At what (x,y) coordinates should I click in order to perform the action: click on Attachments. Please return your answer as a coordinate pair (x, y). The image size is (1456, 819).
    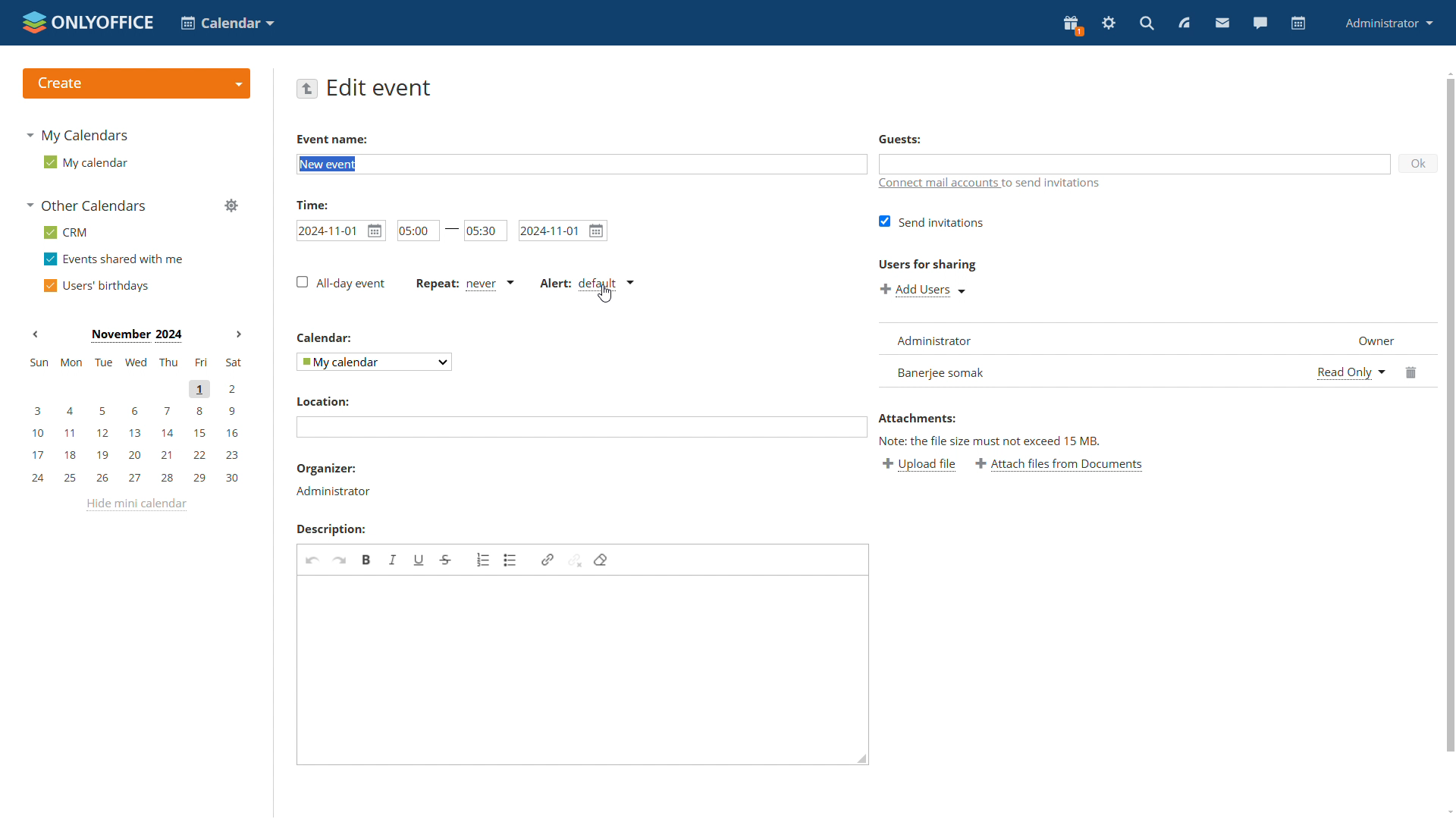
    Looking at the image, I should click on (919, 419).